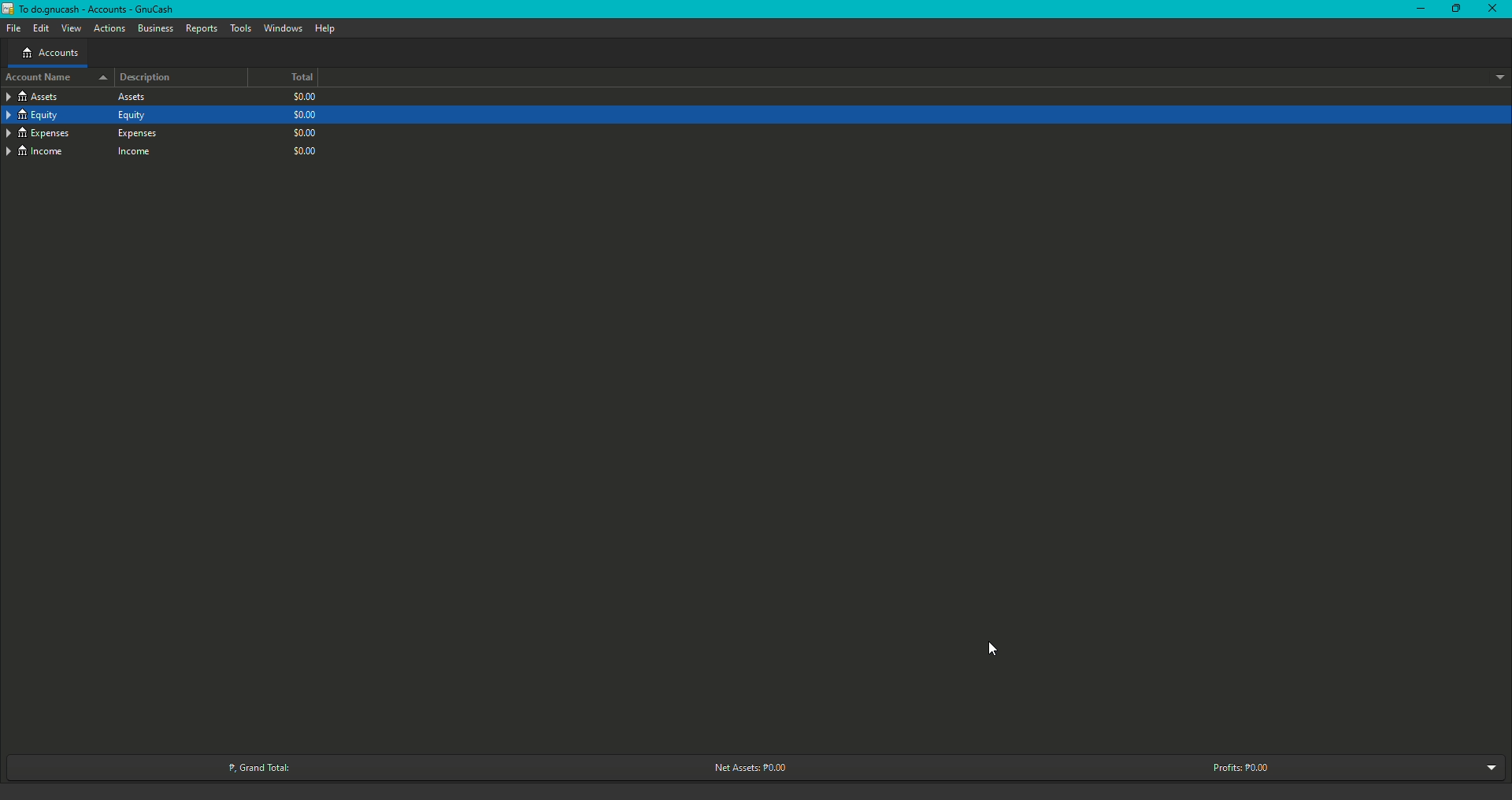  Describe the element at coordinates (50, 52) in the screenshot. I see `Accounts` at that location.